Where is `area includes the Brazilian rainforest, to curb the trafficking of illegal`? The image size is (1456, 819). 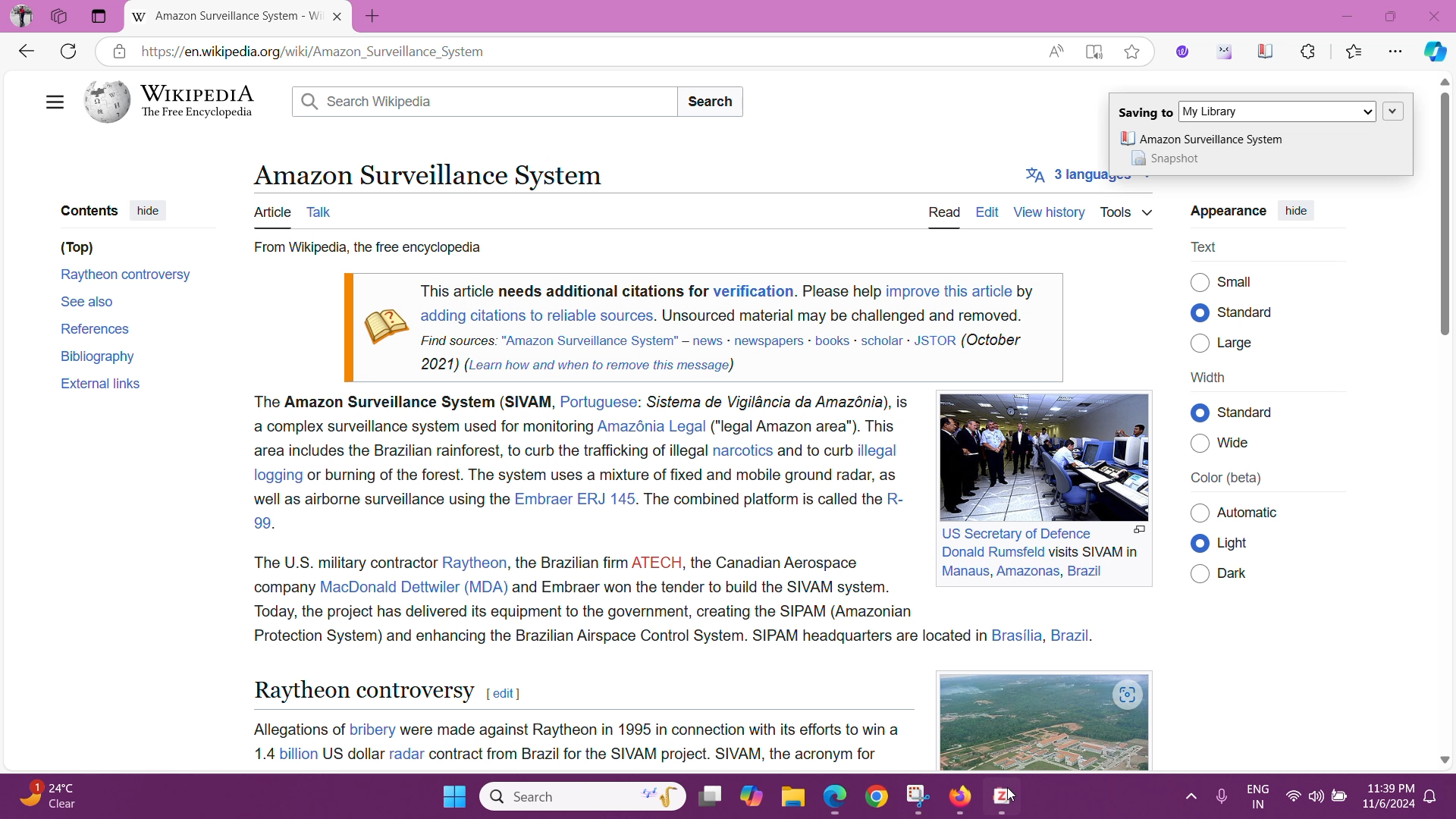 area includes the Brazilian rainforest, to curb the trafficking of illegal is located at coordinates (479, 452).